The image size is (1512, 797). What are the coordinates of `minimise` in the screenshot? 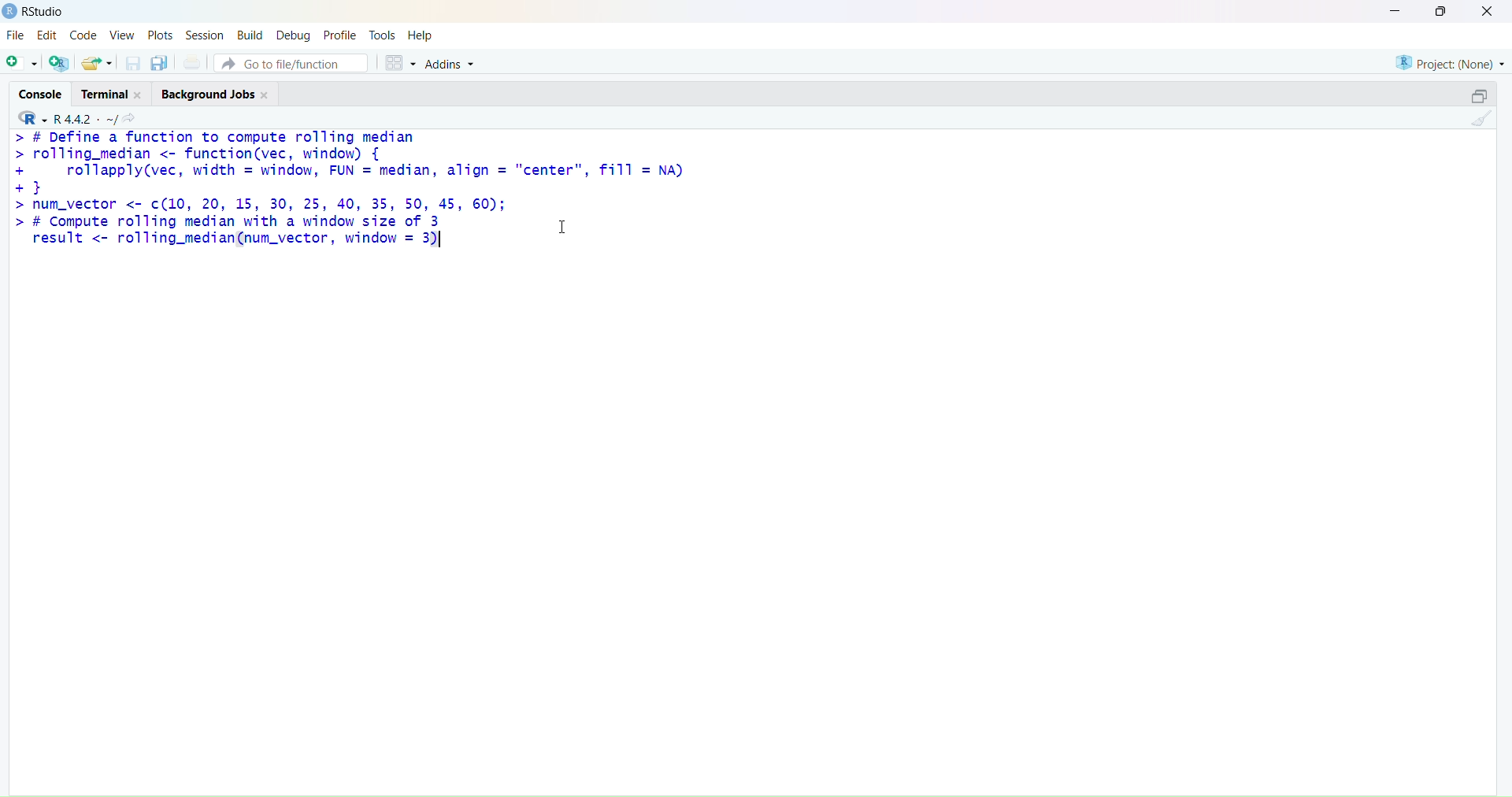 It's located at (1395, 9).